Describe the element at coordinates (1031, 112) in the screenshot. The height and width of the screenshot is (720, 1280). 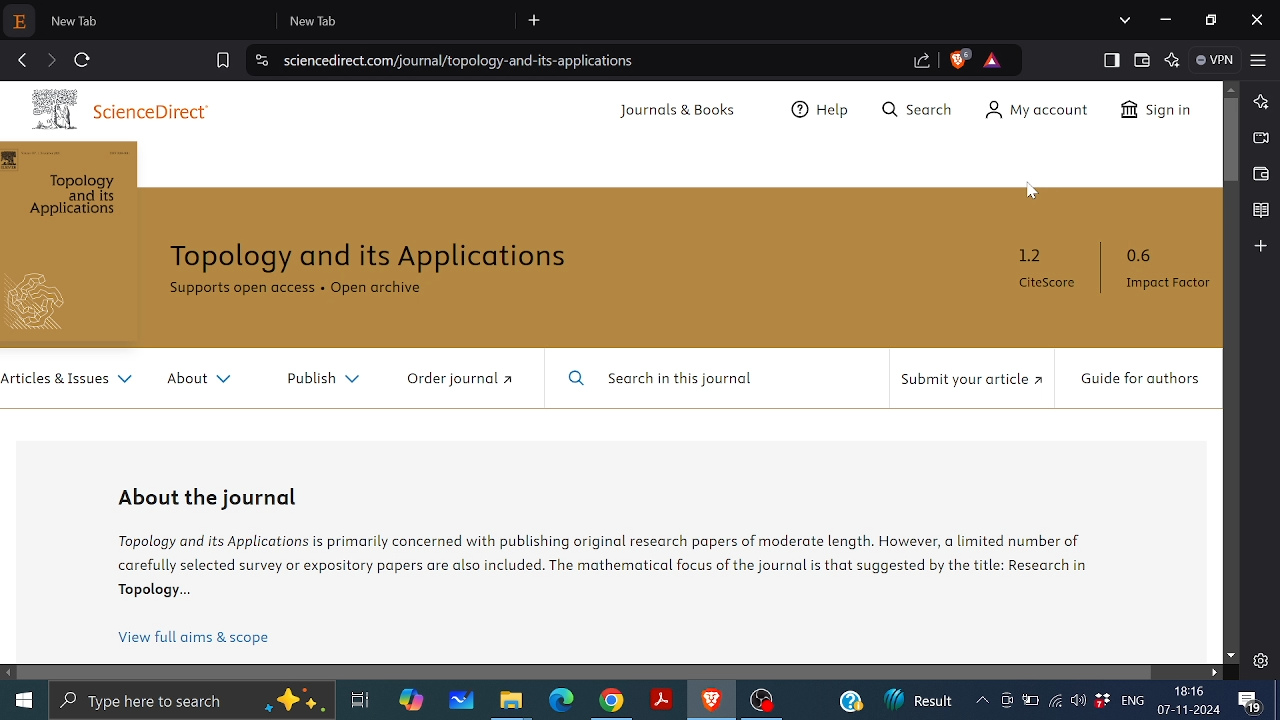
I see `My Account` at that location.